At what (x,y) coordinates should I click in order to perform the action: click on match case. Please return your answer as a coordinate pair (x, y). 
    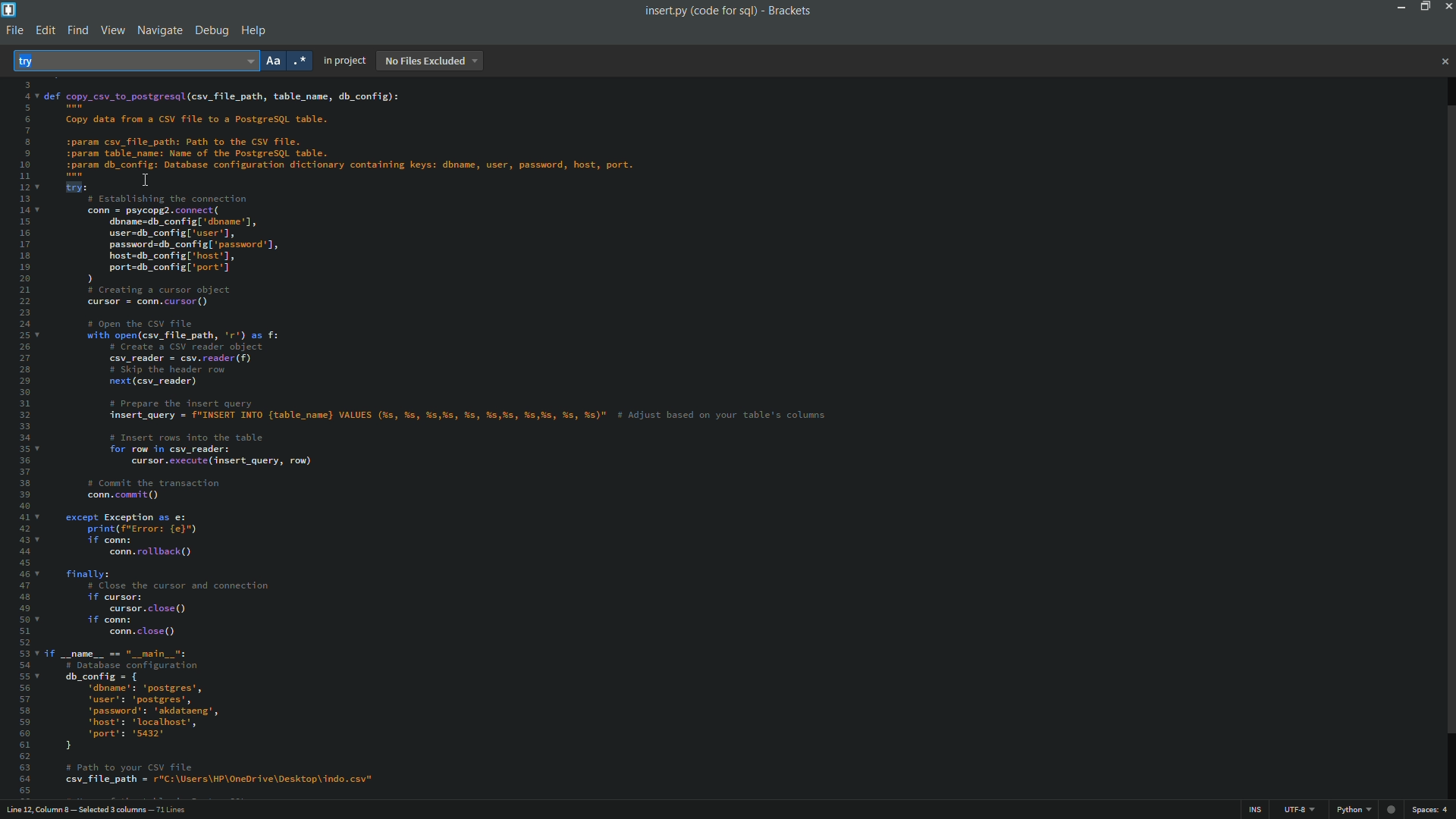
    Looking at the image, I should click on (274, 63).